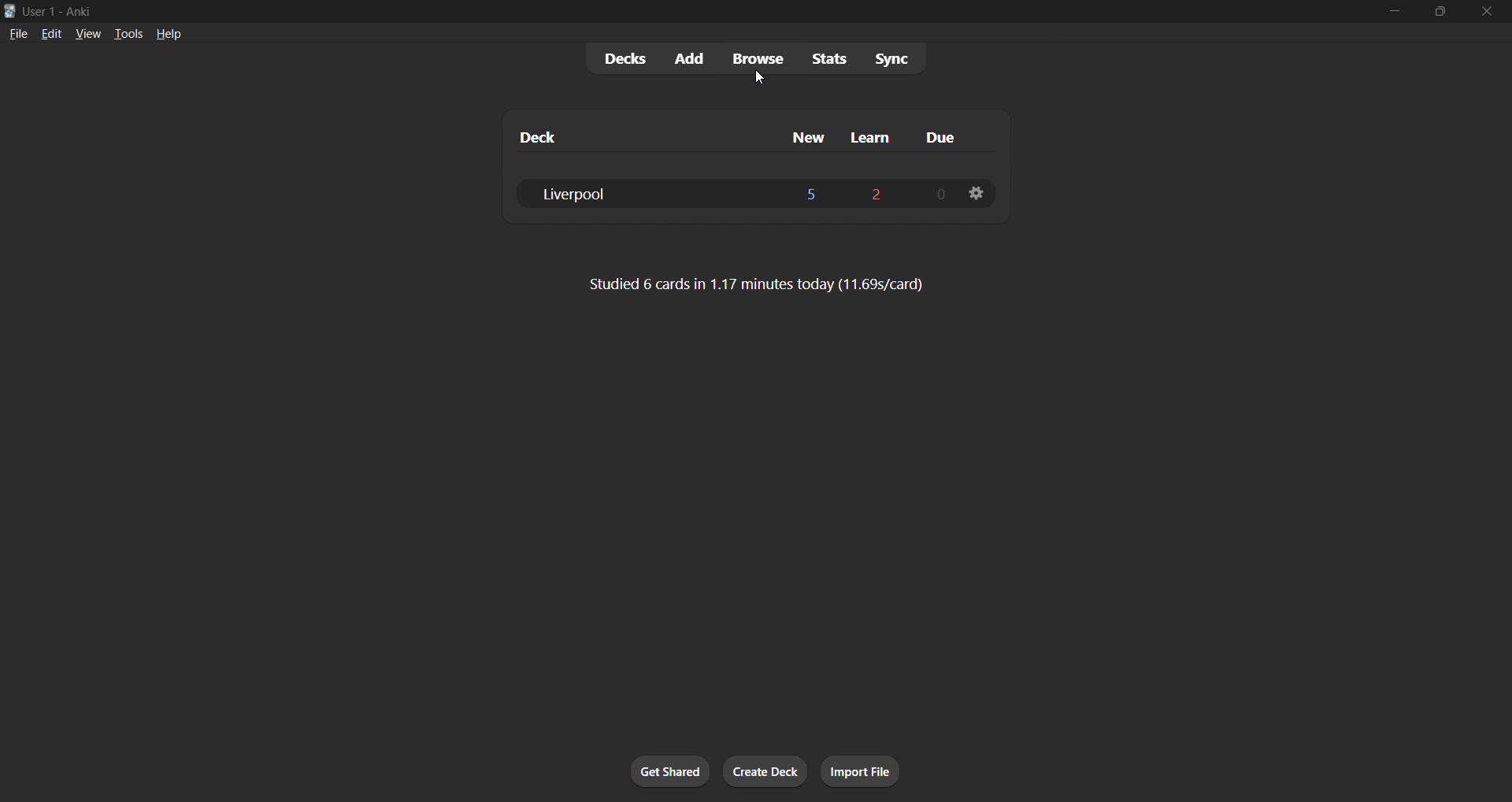 Image resolution: width=1512 pixels, height=802 pixels. What do you see at coordinates (1438, 13) in the screenshot?
I see `maximize/restore` at bounding box center [1438, 13].